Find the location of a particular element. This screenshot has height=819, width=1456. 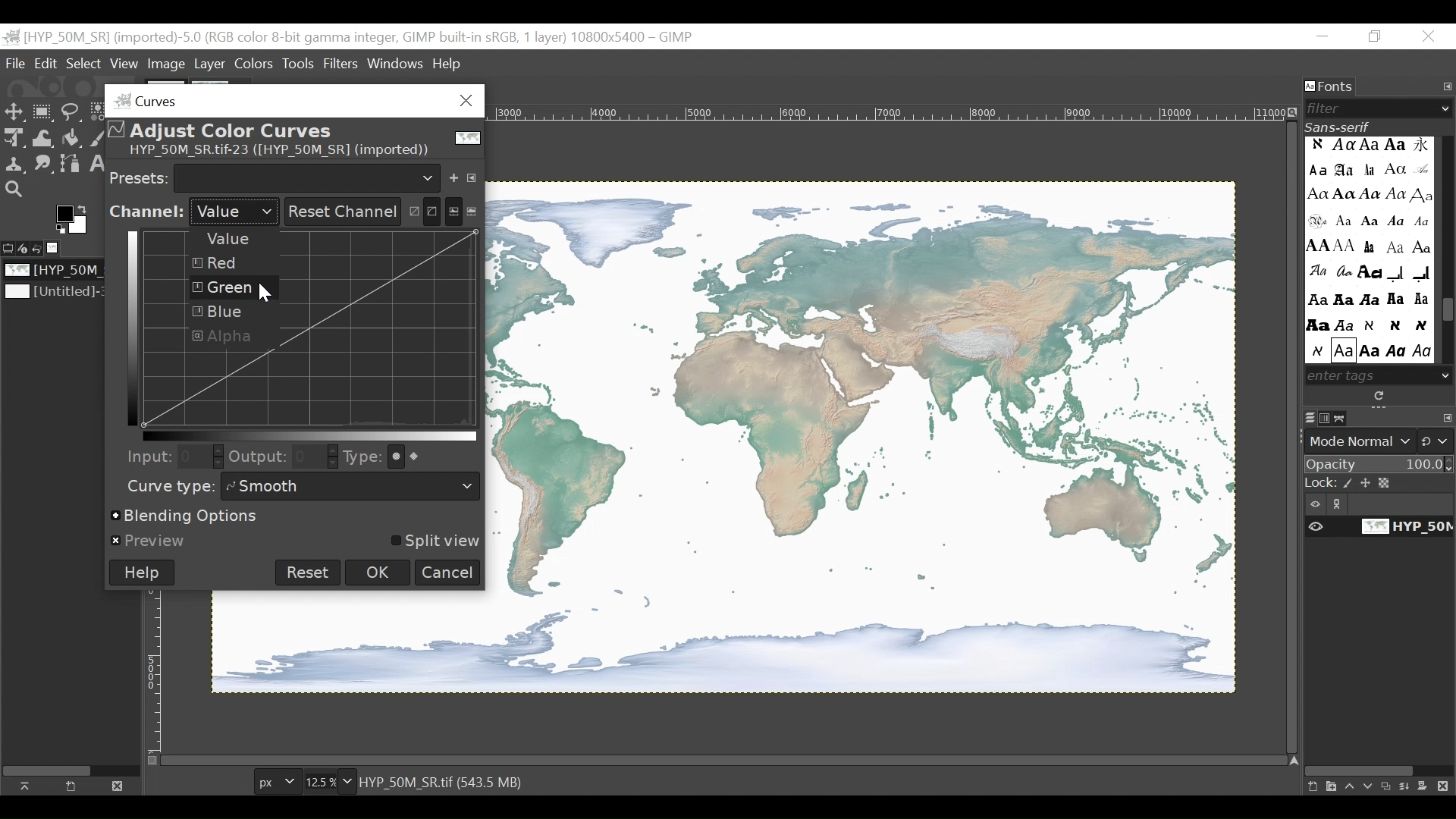

Warp Transform is located at coordinates (44, 139).